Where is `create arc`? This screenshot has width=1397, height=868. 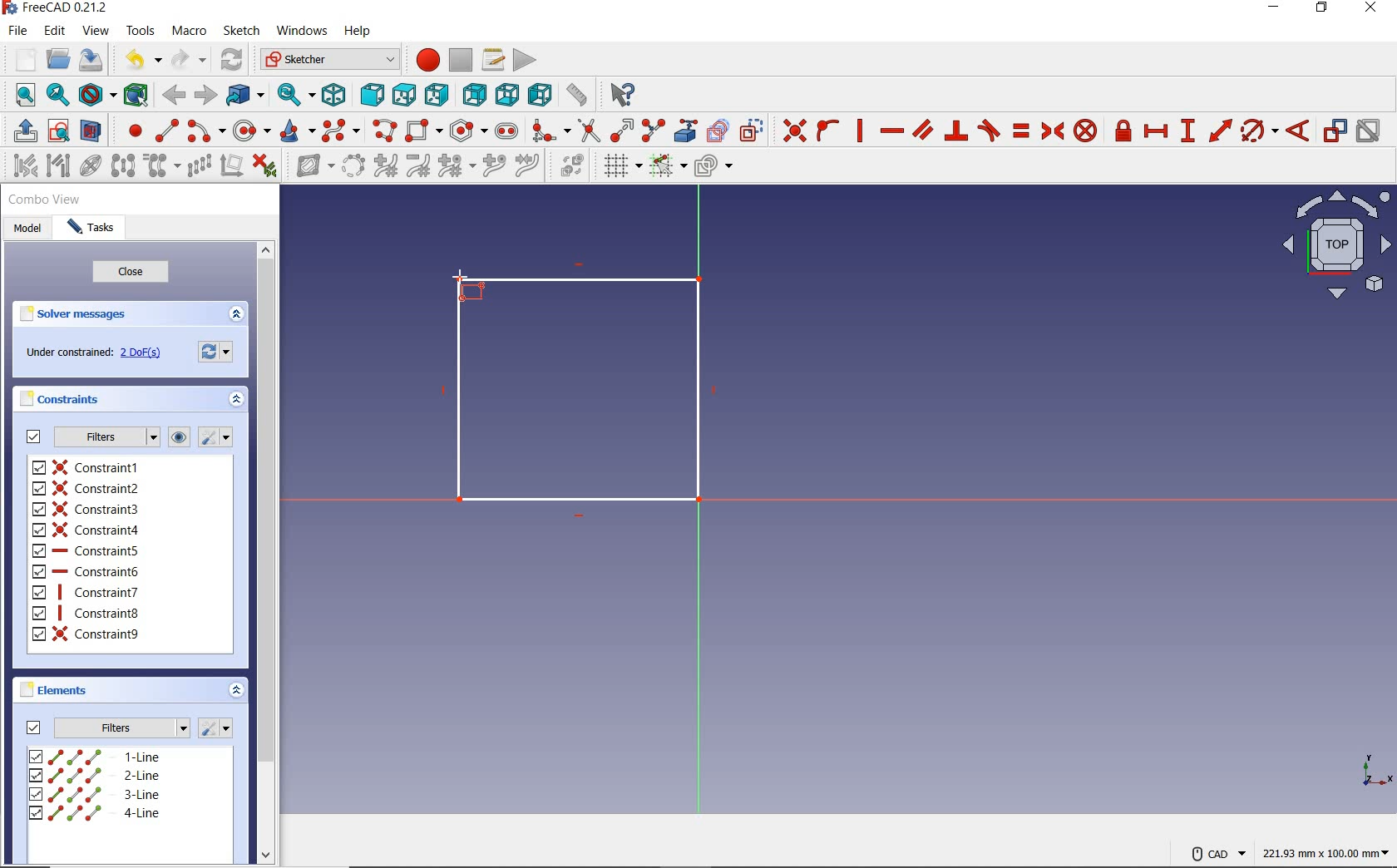 create arc is located at coordinates (205, 132).